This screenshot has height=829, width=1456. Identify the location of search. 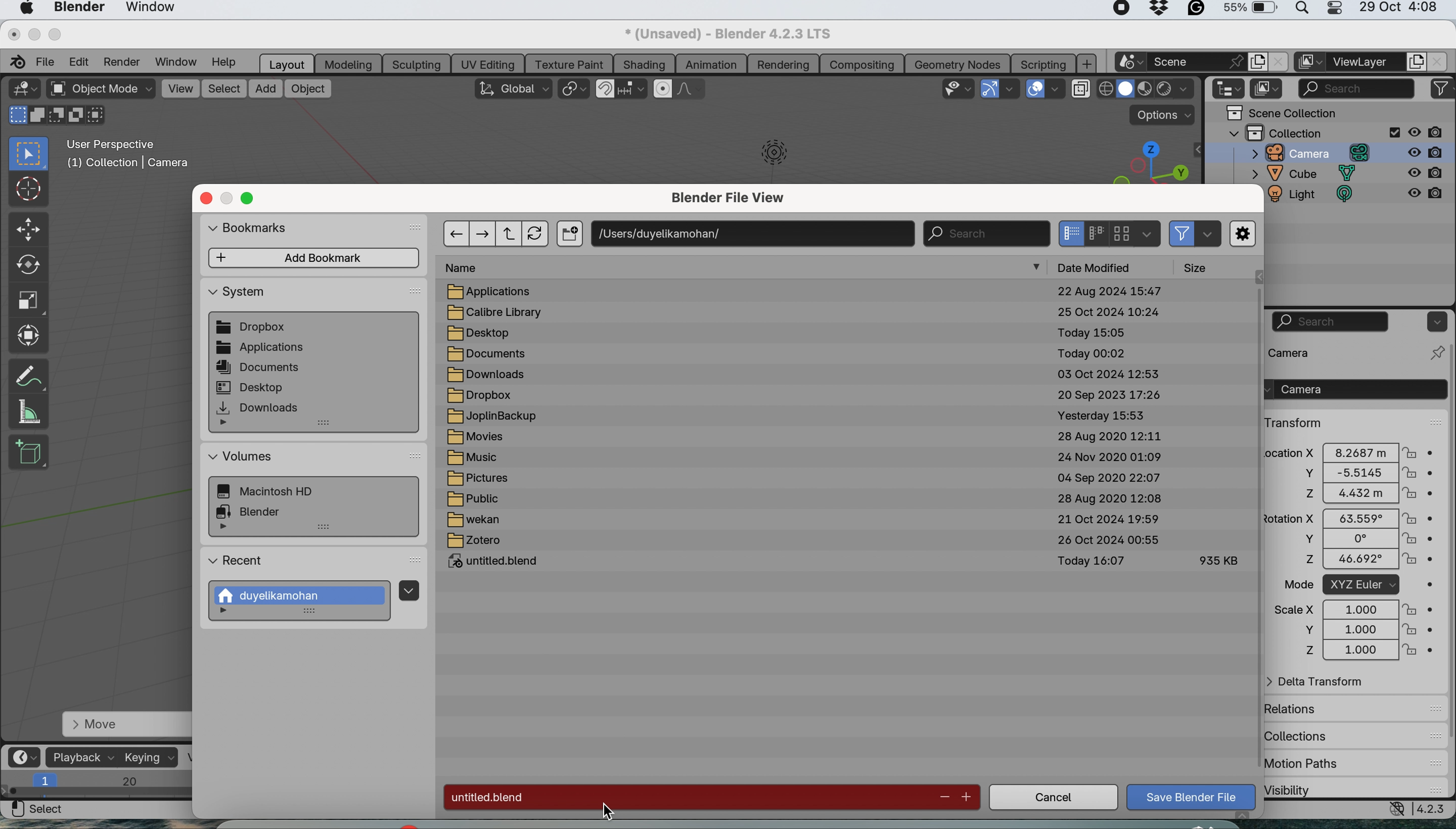
(985, 233).